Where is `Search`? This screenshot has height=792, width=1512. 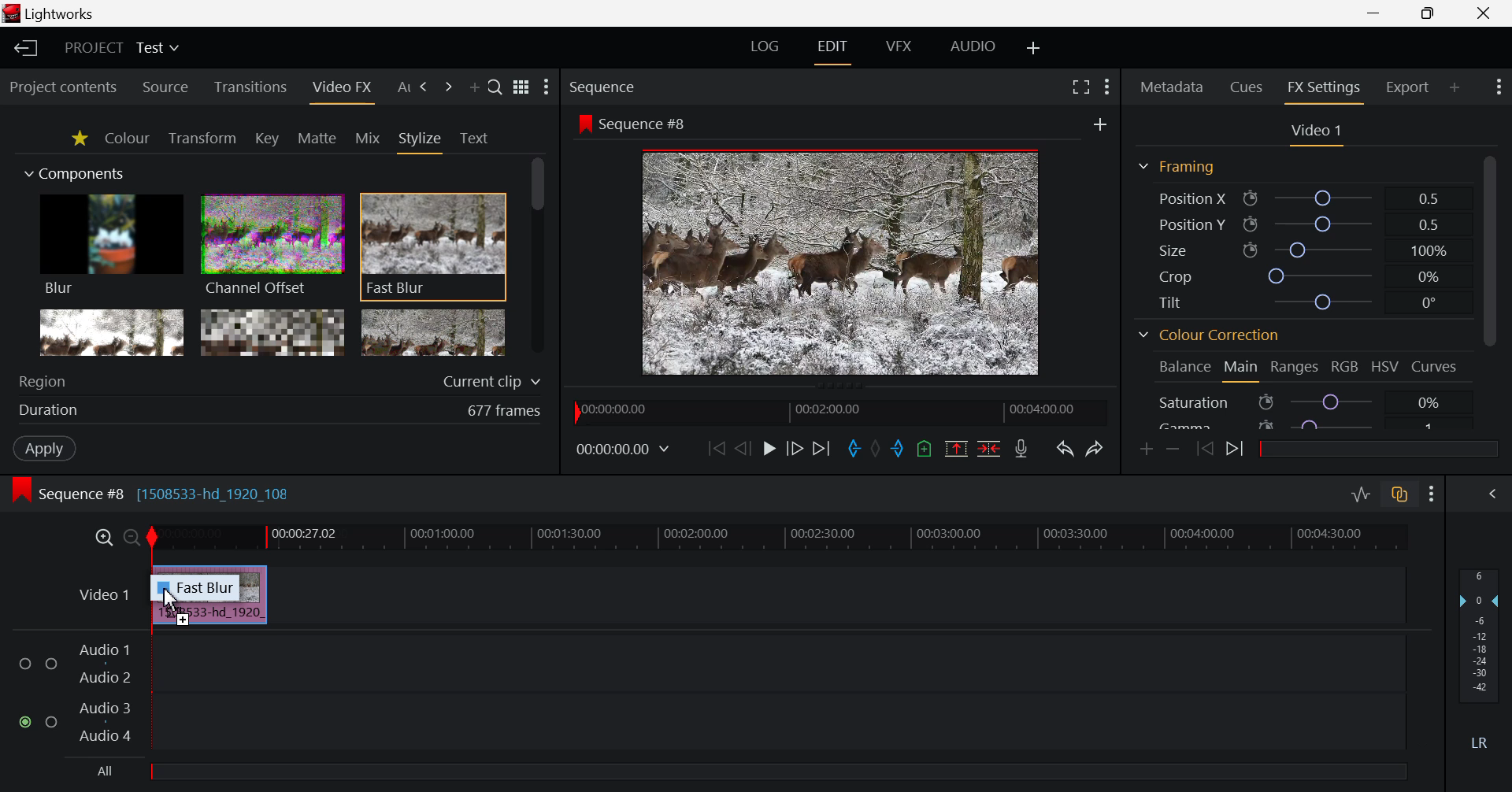
Search is located at coordinates (495, 87).